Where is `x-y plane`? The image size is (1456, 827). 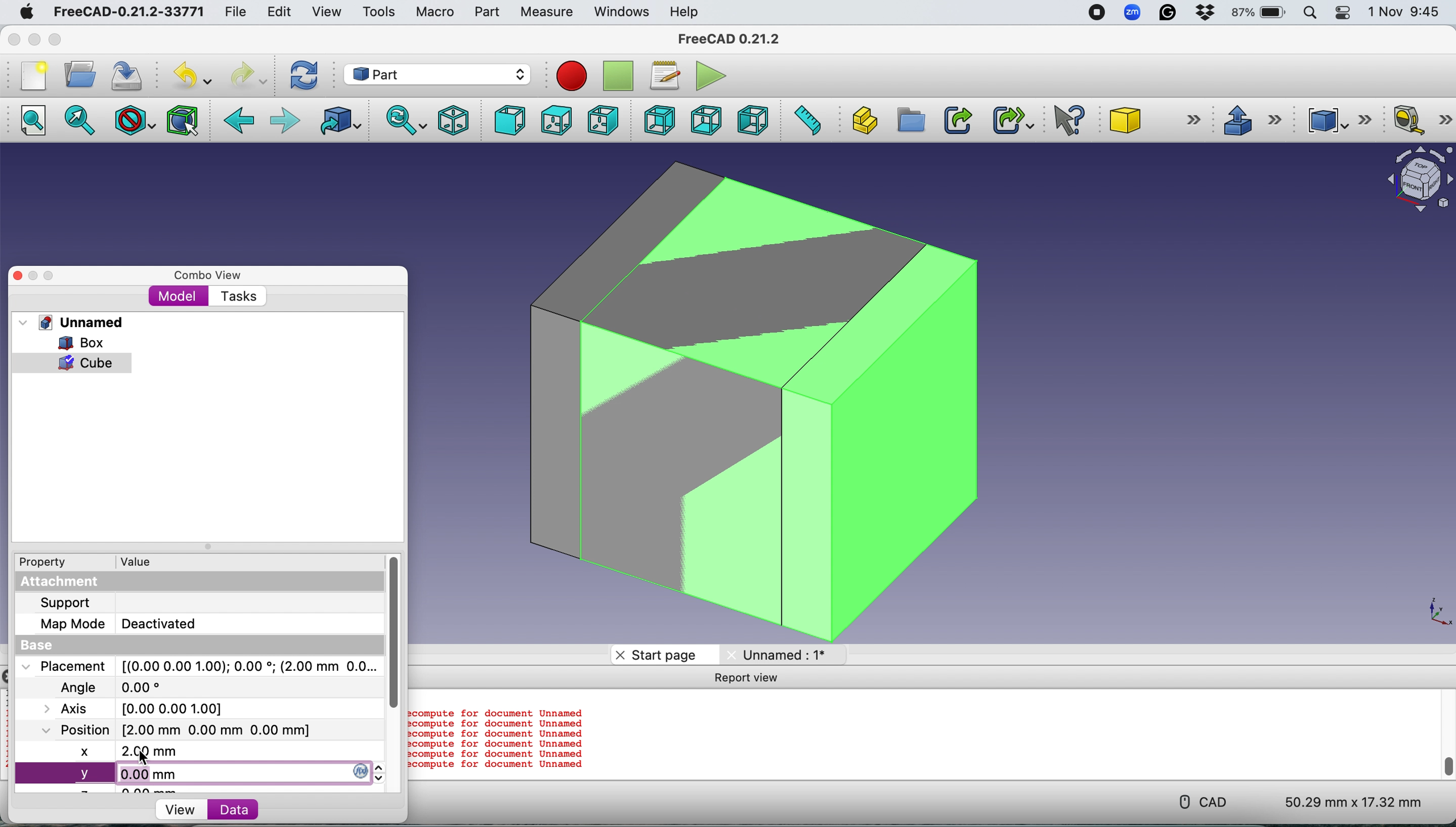 x-y plane is located at coordinates (1433, 613).